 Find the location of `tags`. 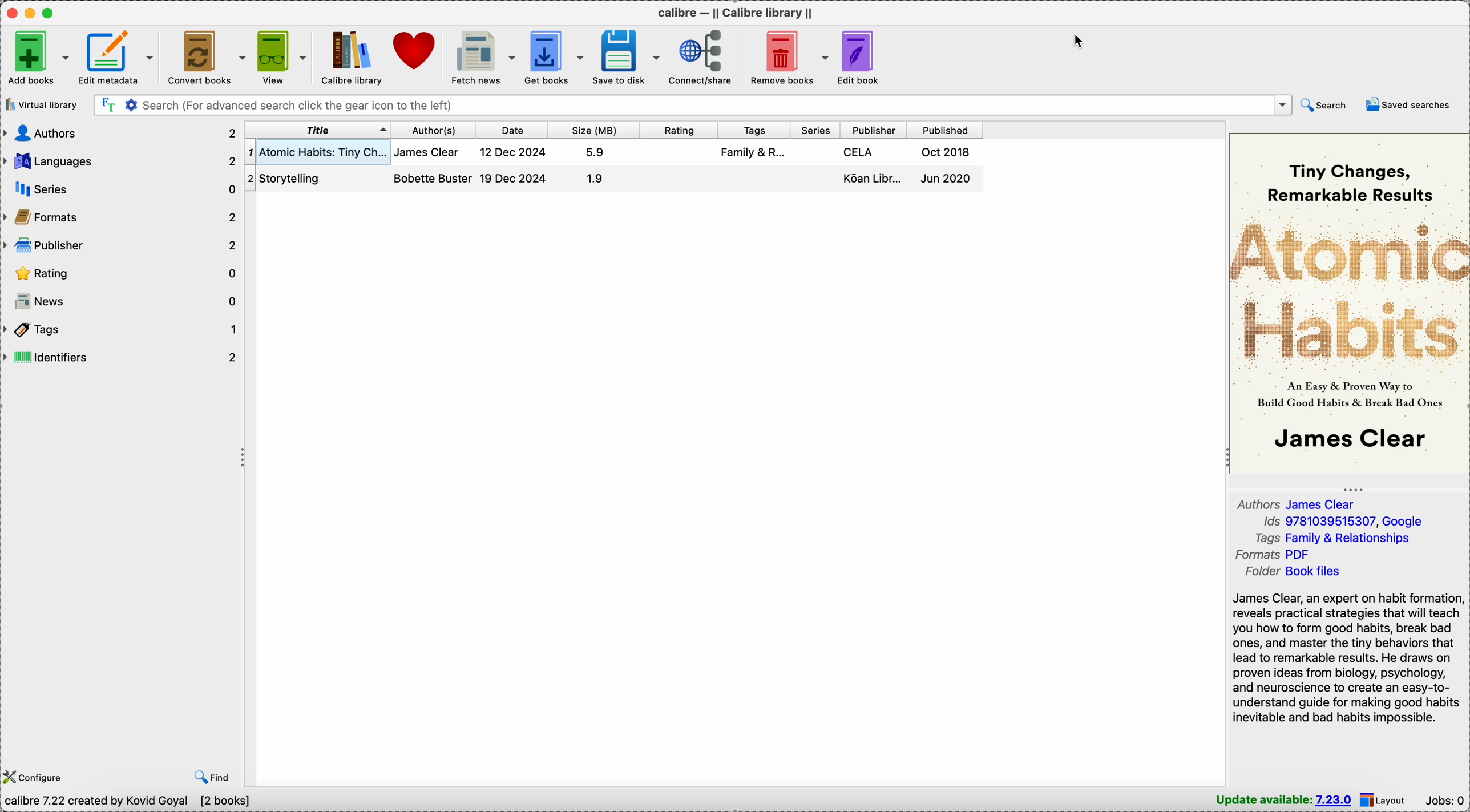

tags is located at coordinates (750, 130).